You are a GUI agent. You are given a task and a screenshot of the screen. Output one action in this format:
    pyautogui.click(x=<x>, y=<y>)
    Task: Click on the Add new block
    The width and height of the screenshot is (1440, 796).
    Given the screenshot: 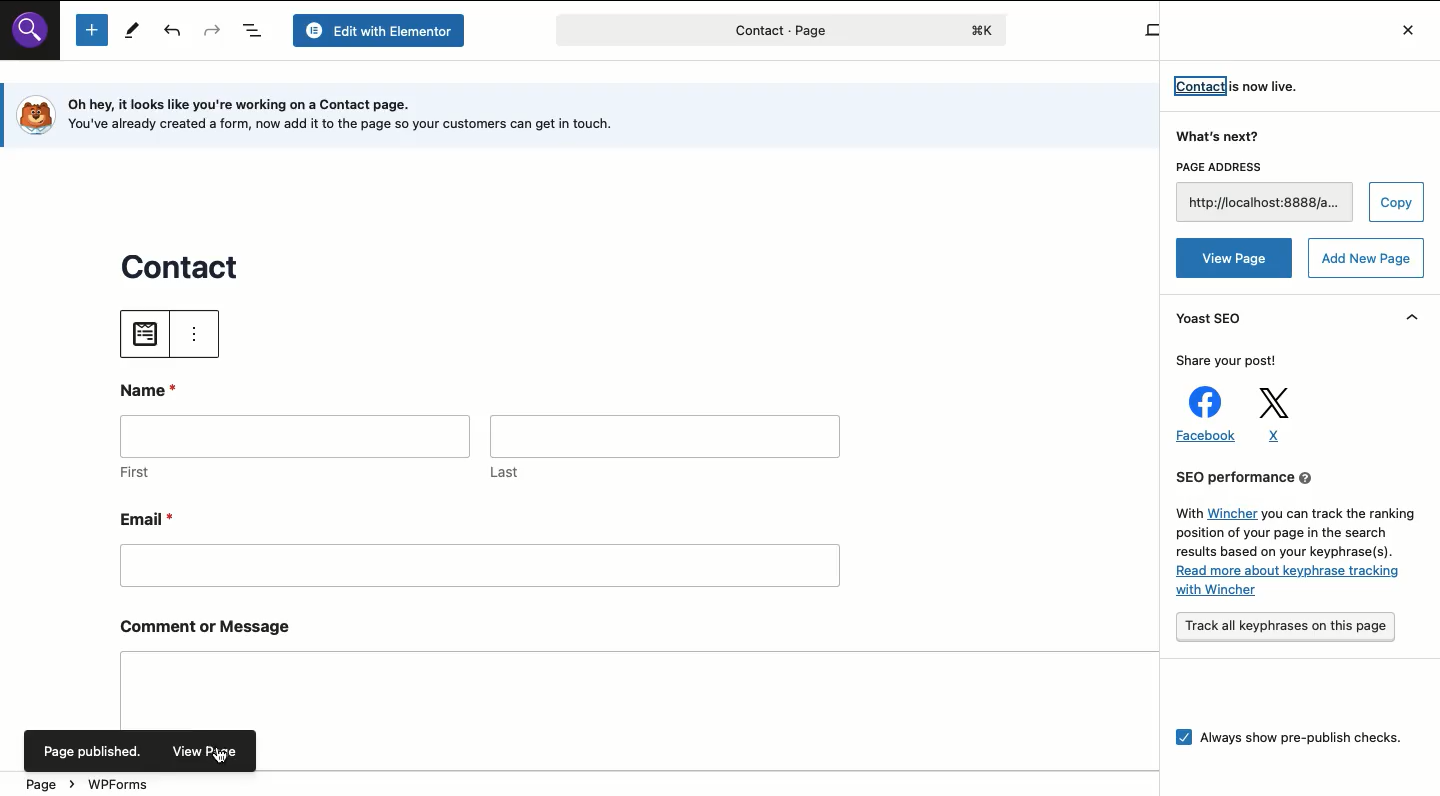 What is the action you would take?
    pyautogui.click(x=91, y=31)
    